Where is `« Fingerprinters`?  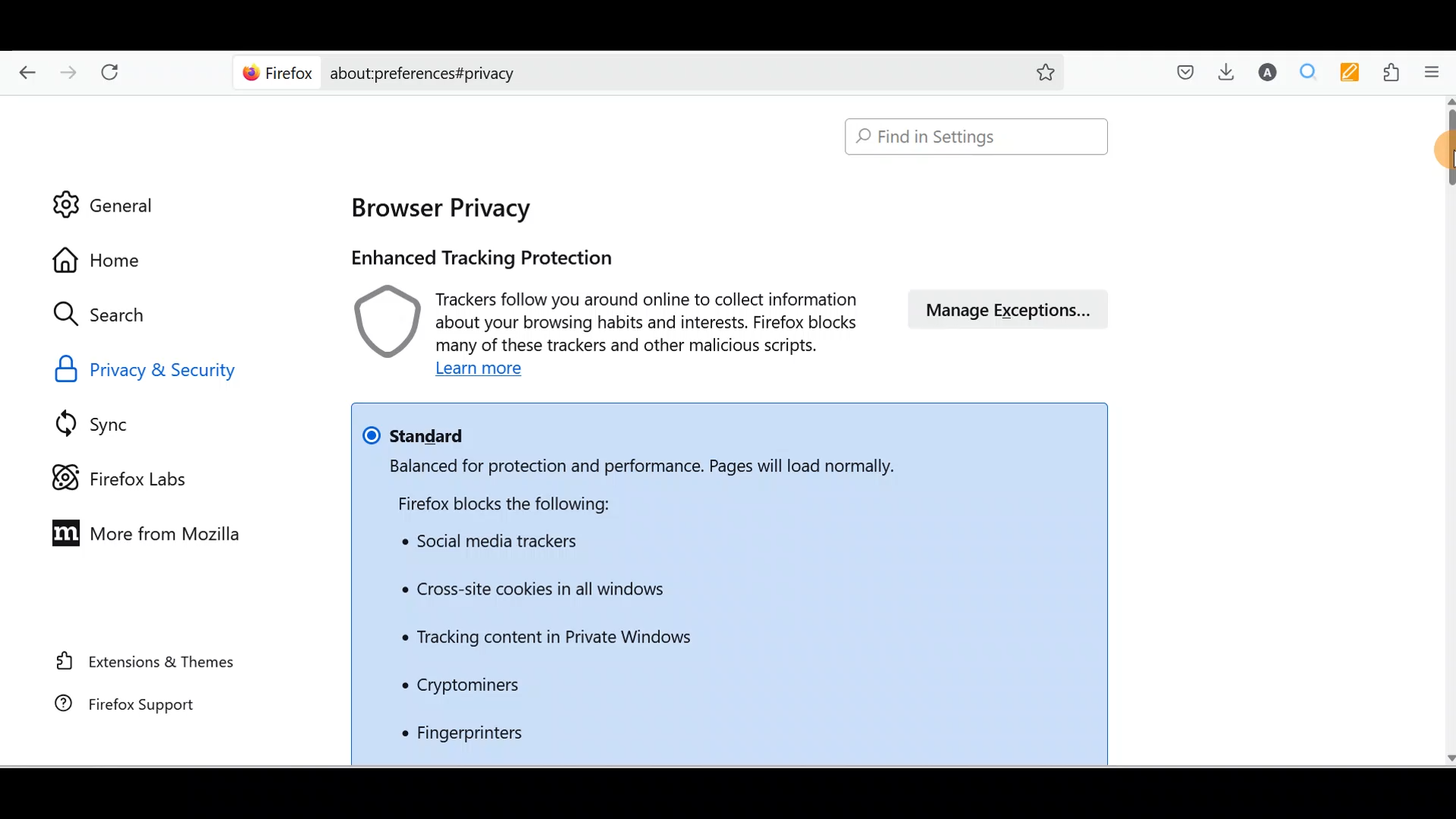
« Fingerprinters is located at coordinates (450, 733).